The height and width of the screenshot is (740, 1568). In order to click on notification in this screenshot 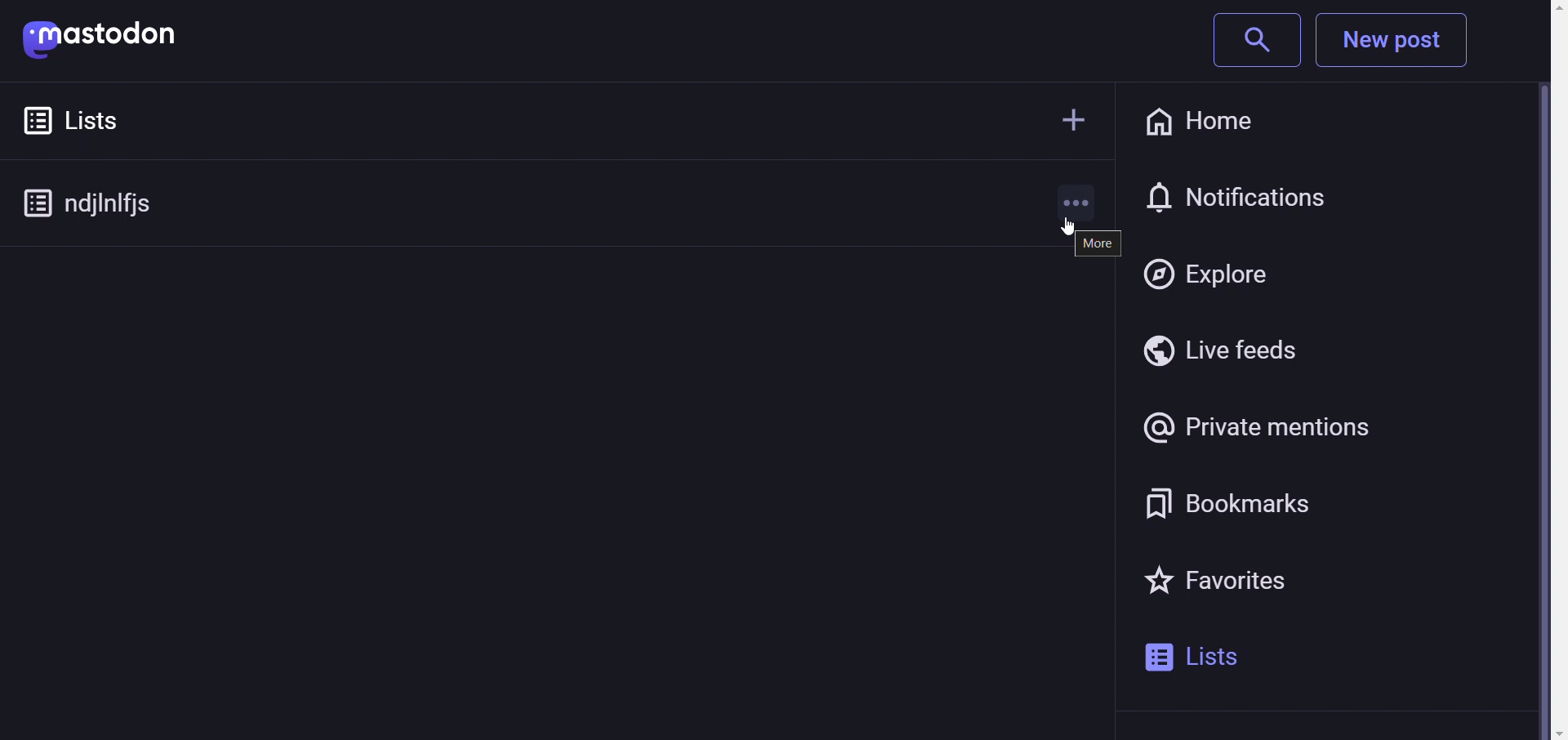, I will do `click(1244, 198)`.